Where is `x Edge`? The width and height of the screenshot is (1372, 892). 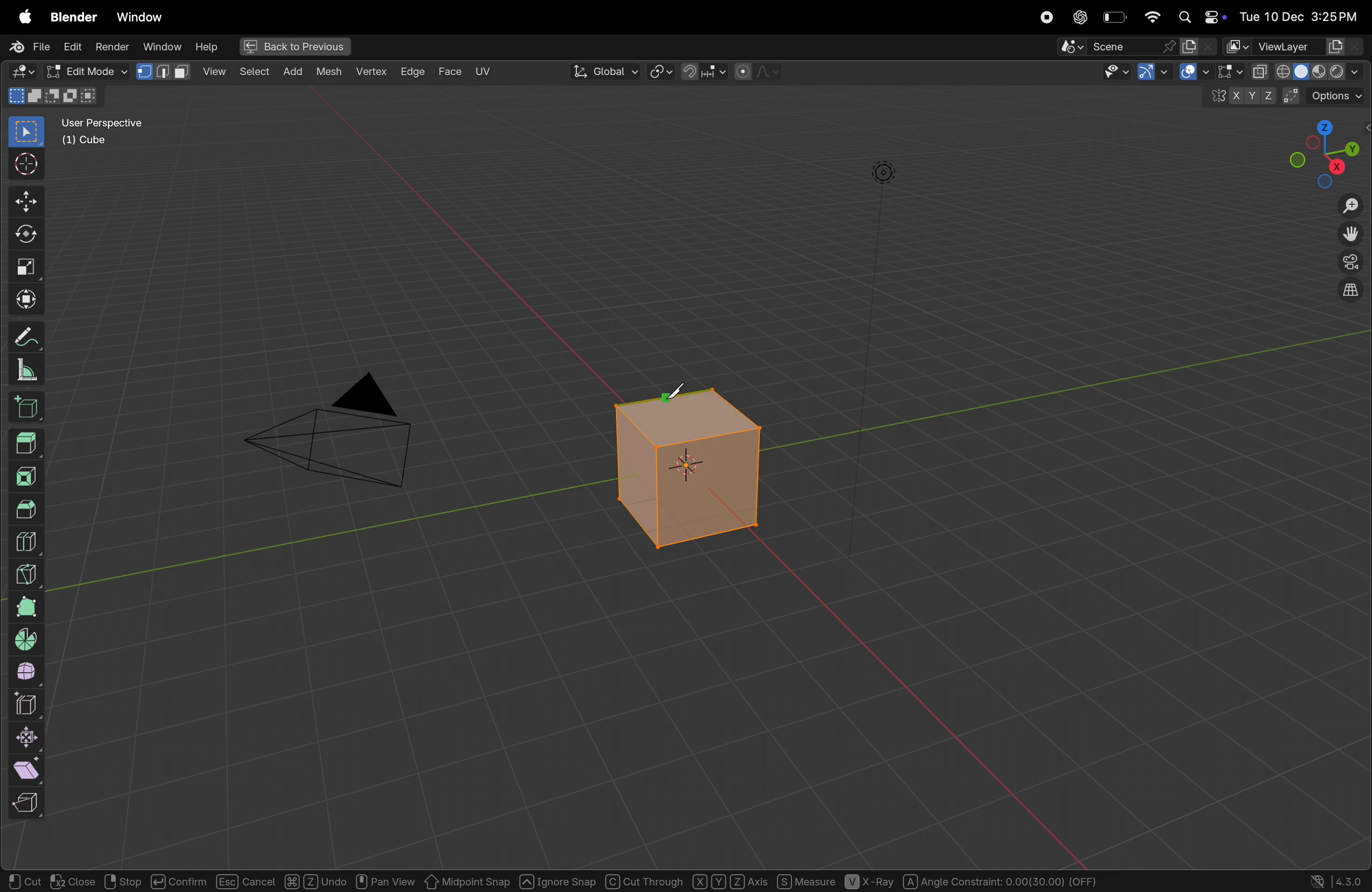
x Edge is located at coordinates (413, 70).